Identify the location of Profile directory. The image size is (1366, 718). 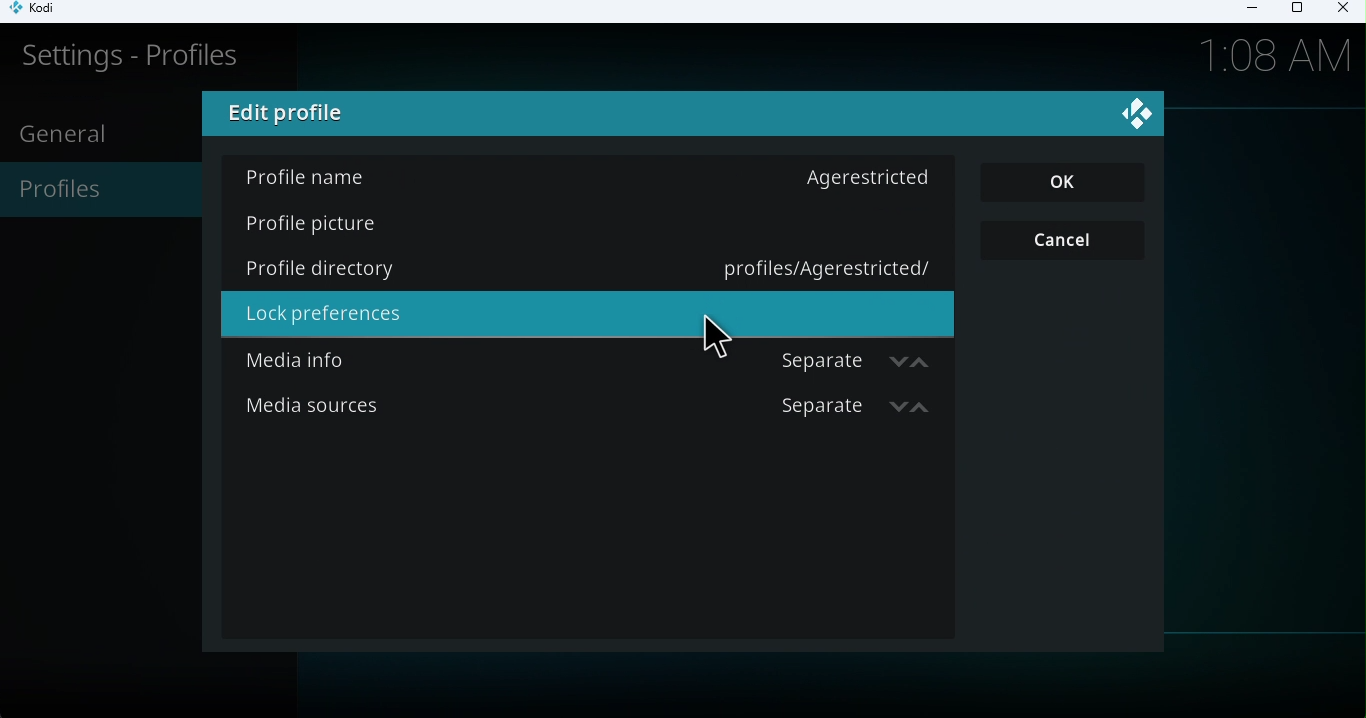
(583, 270).